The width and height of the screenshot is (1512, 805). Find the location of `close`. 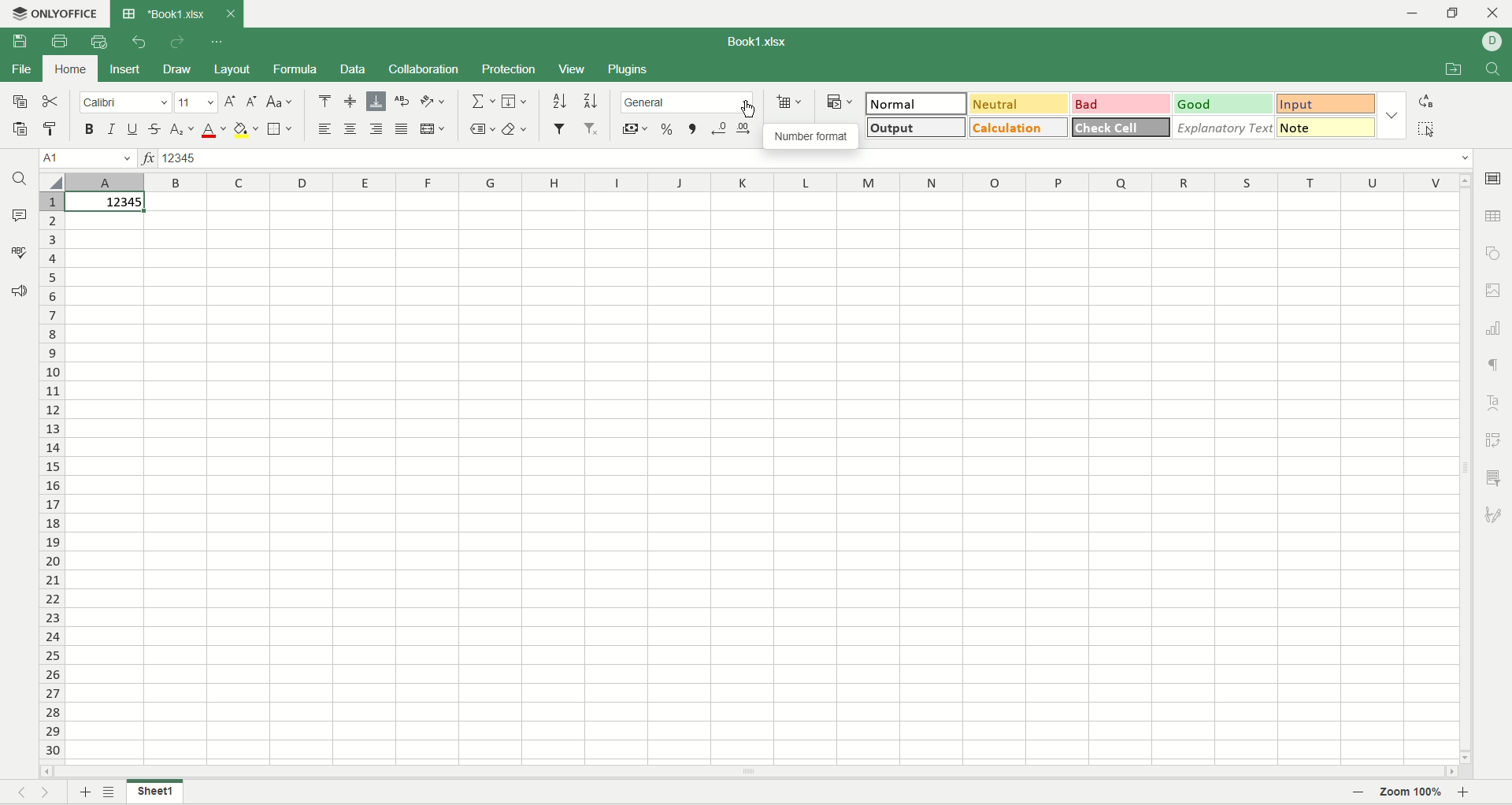

close is located at coordinates (226, 17).